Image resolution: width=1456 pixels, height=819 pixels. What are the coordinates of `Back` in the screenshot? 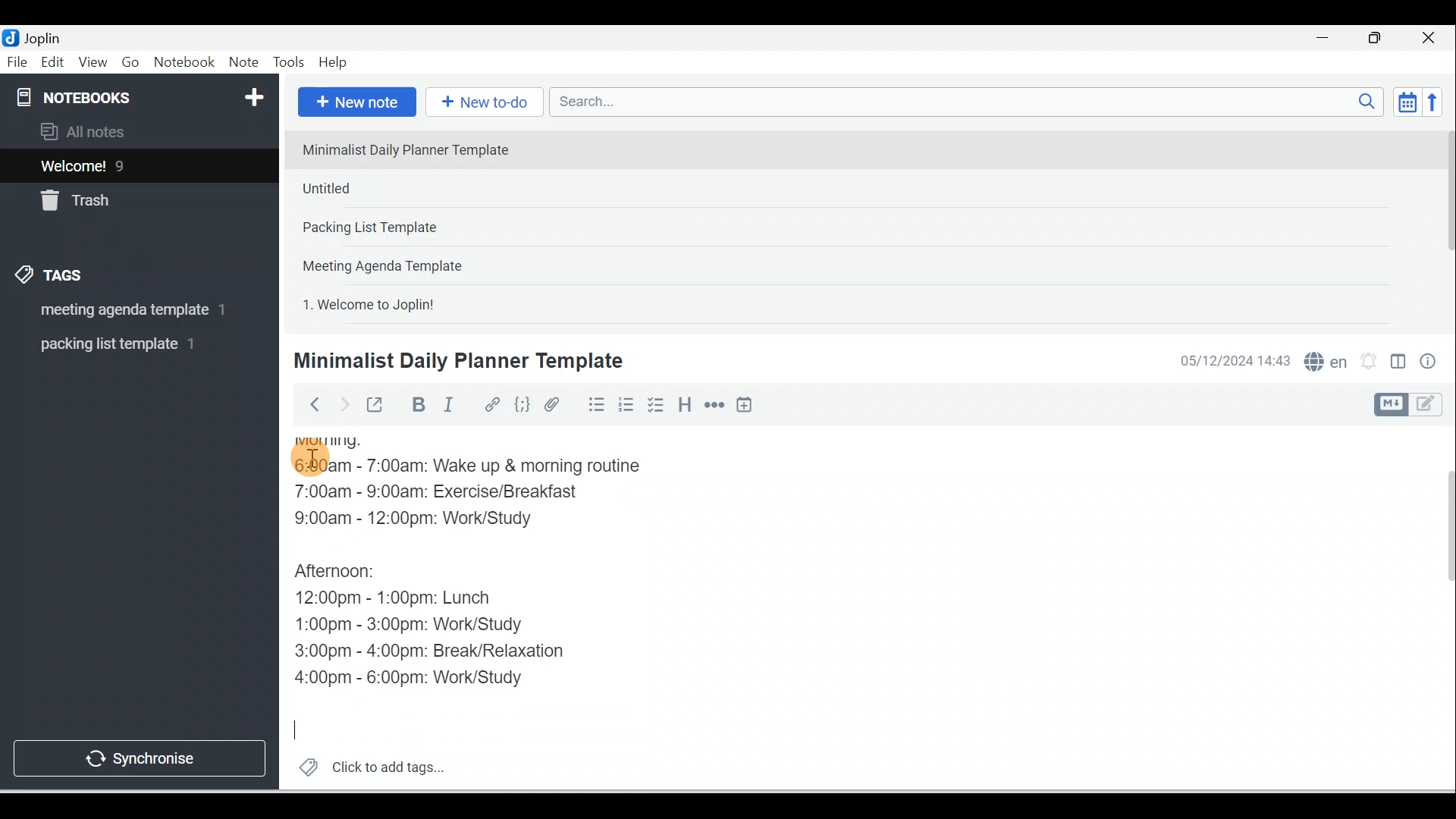 It's located at (308, 404).